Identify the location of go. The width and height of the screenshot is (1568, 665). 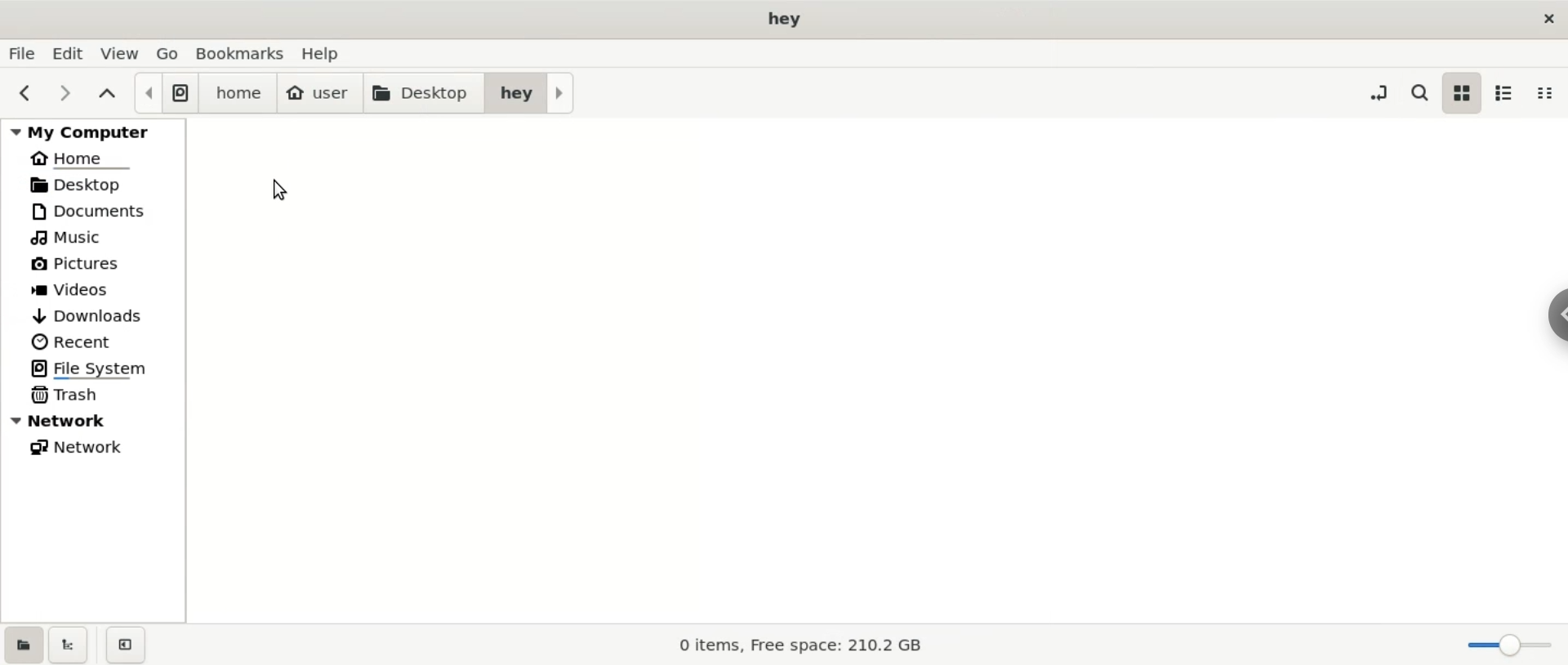
(169, 51).